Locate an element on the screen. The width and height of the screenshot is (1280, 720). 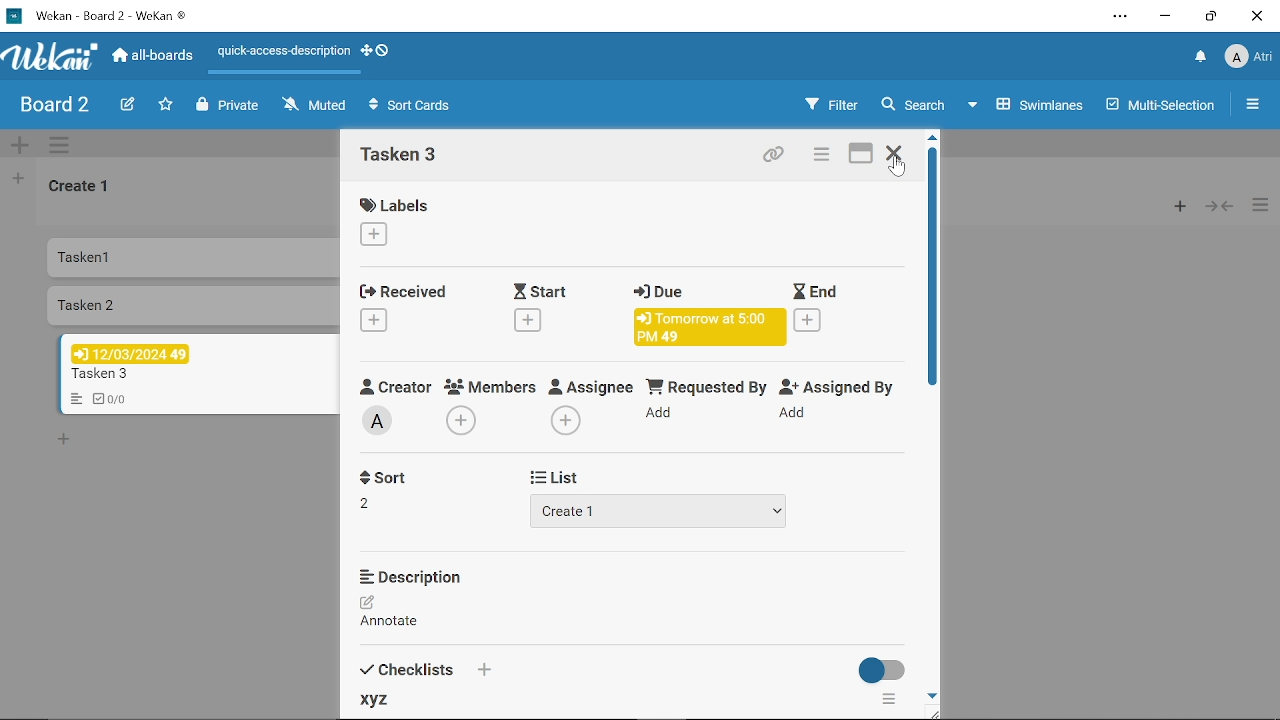
Filter is located at coordinates (832, 105).